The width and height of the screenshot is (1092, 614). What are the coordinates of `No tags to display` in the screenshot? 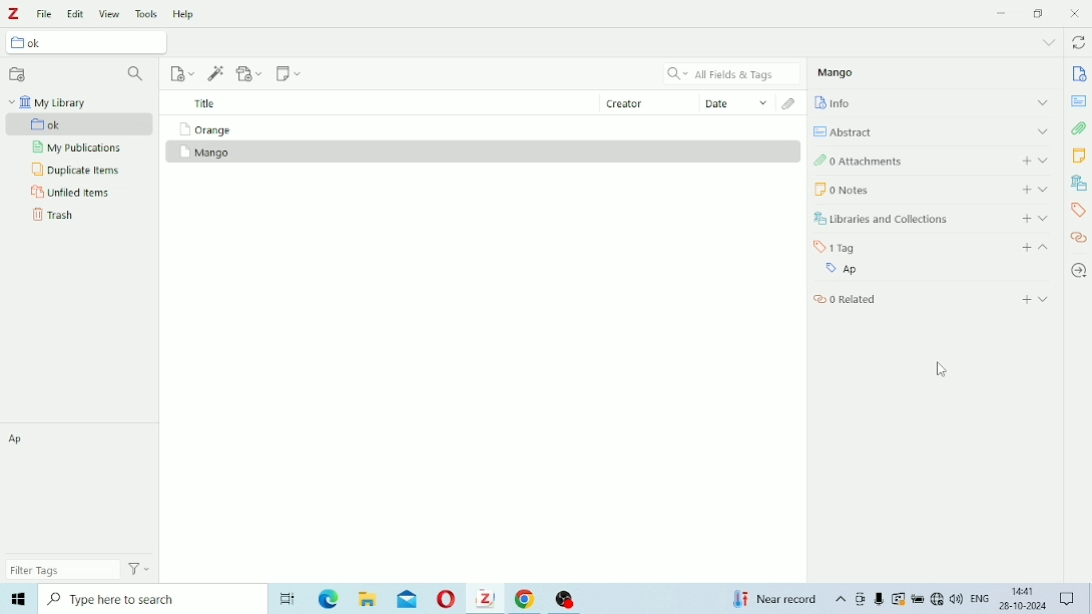 It's located at (83, 490).